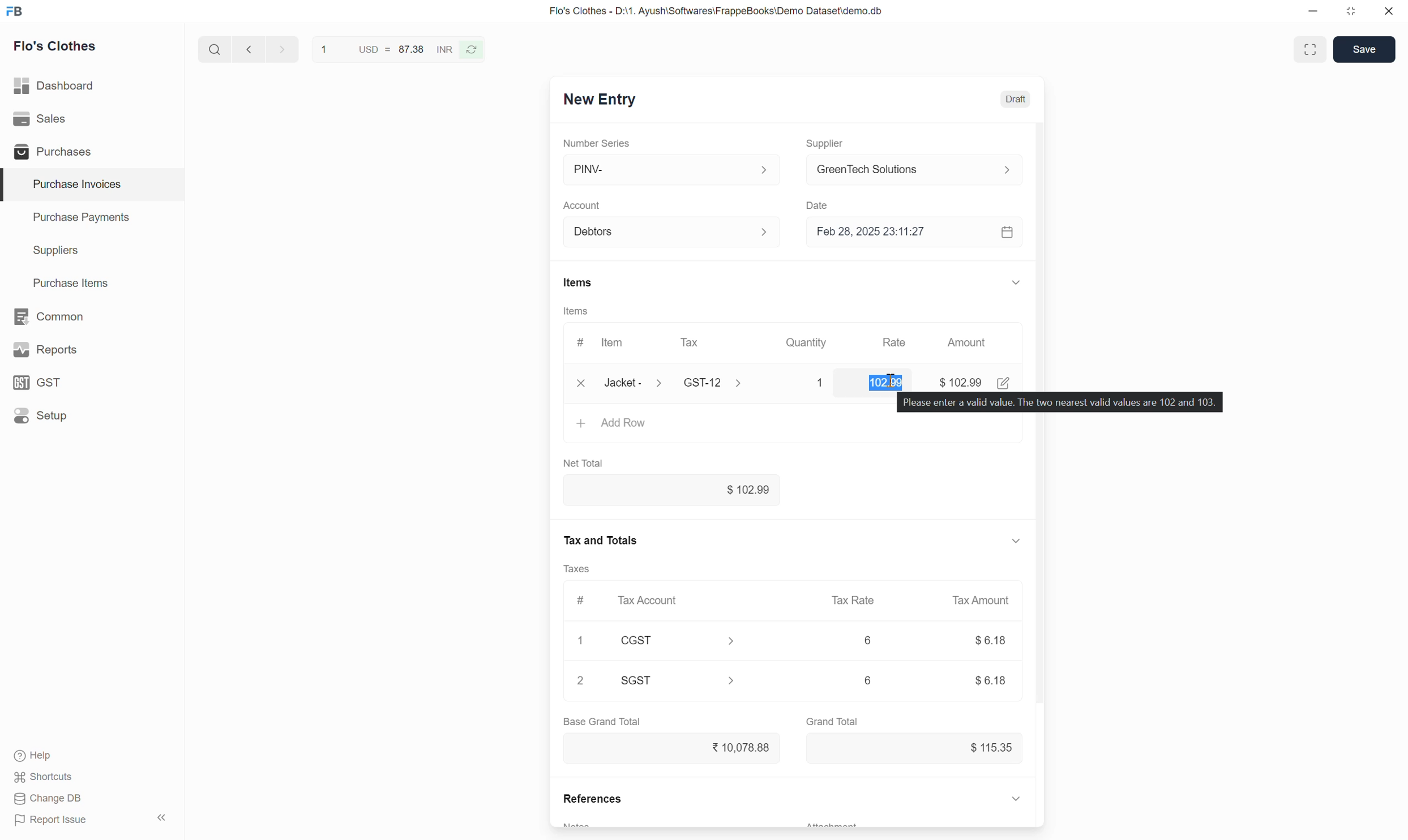 The image size is (1408, 840). Describe the element at coordinates (580, 680) in the screenshot. I see `2` at that location.